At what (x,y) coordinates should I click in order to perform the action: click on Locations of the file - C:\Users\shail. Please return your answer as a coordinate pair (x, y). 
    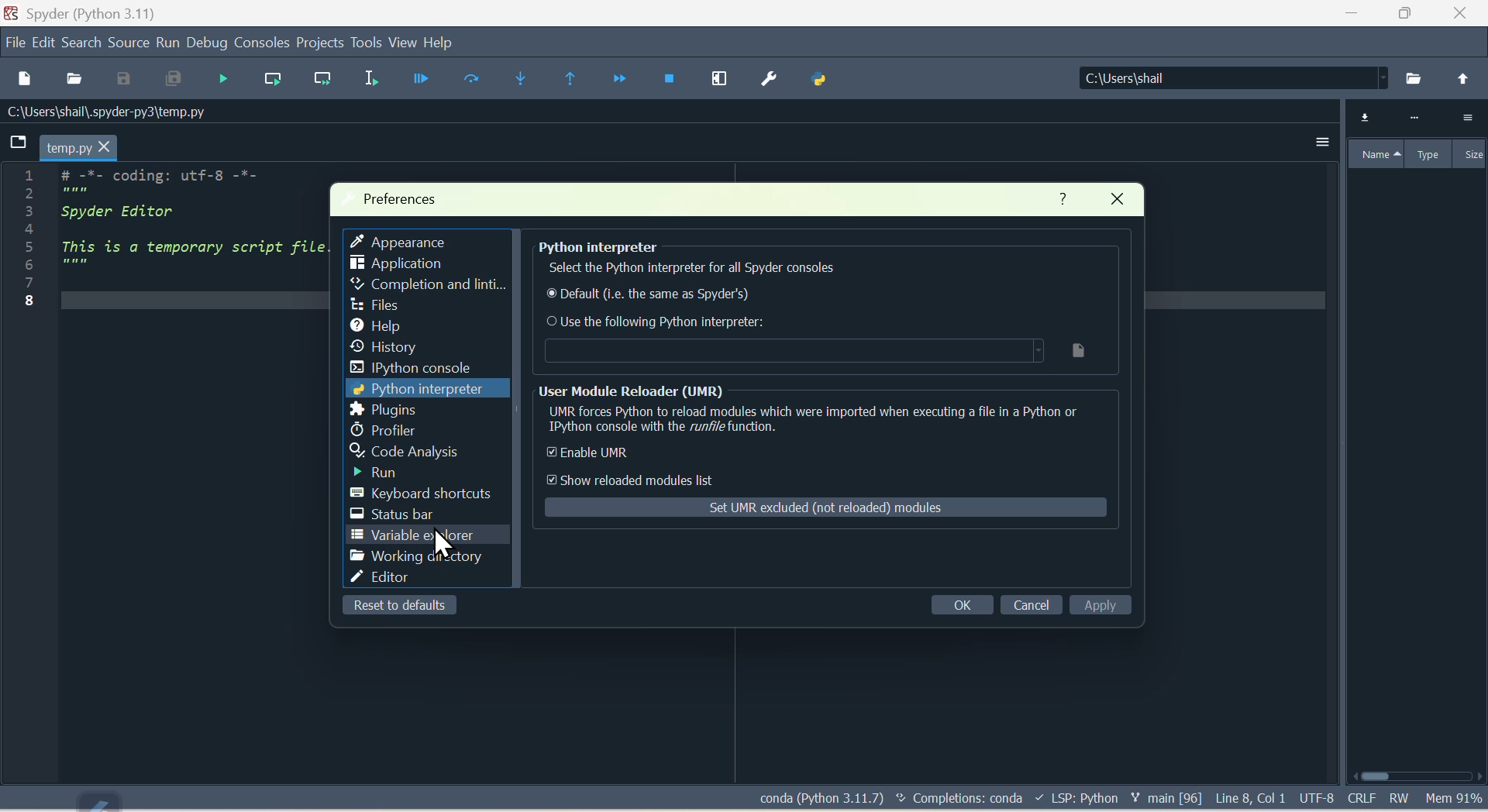
    Looking at the image, I should click on (1227, 79).